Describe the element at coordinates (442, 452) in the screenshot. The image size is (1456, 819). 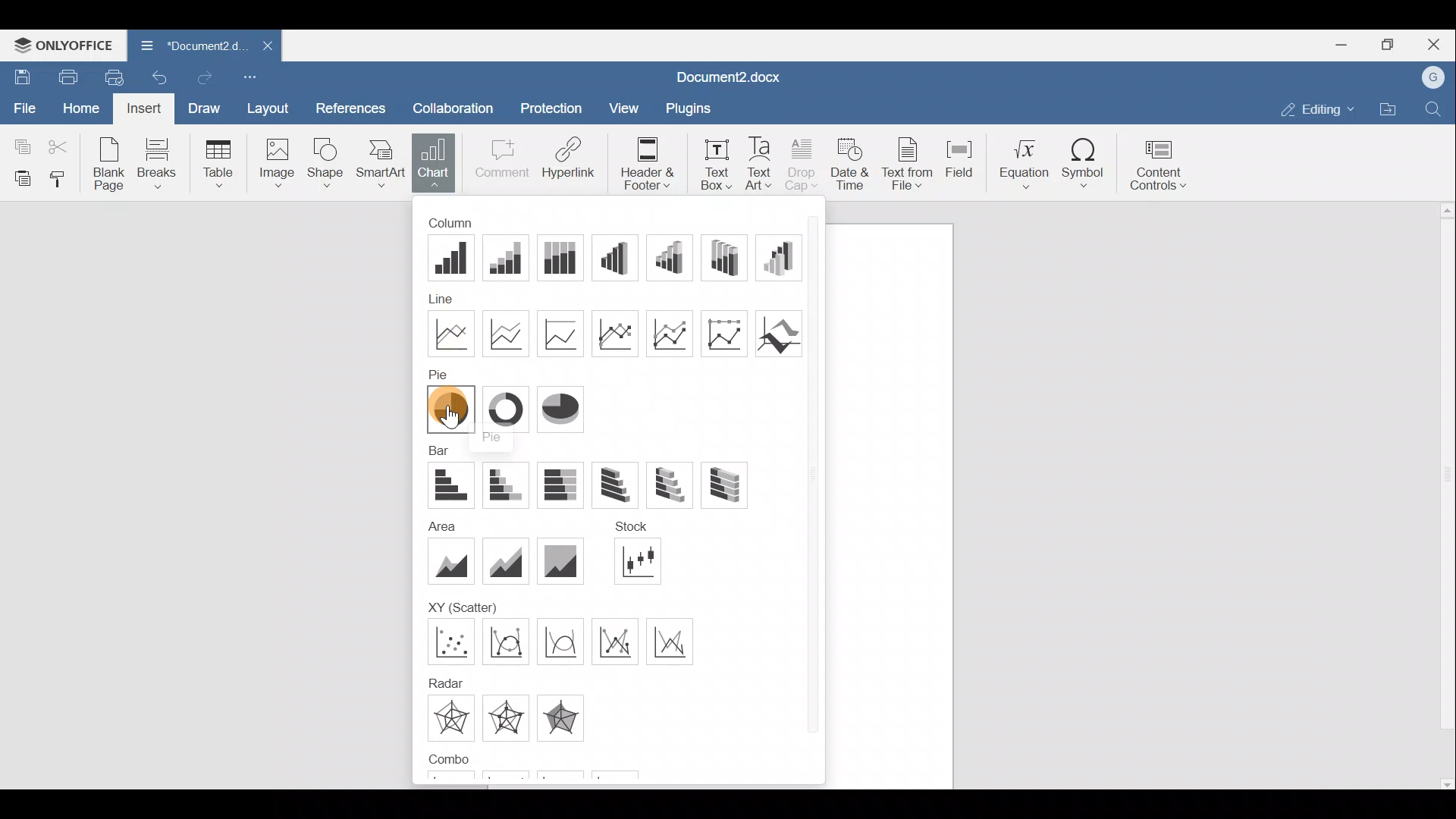
I see `Bar` at that location.